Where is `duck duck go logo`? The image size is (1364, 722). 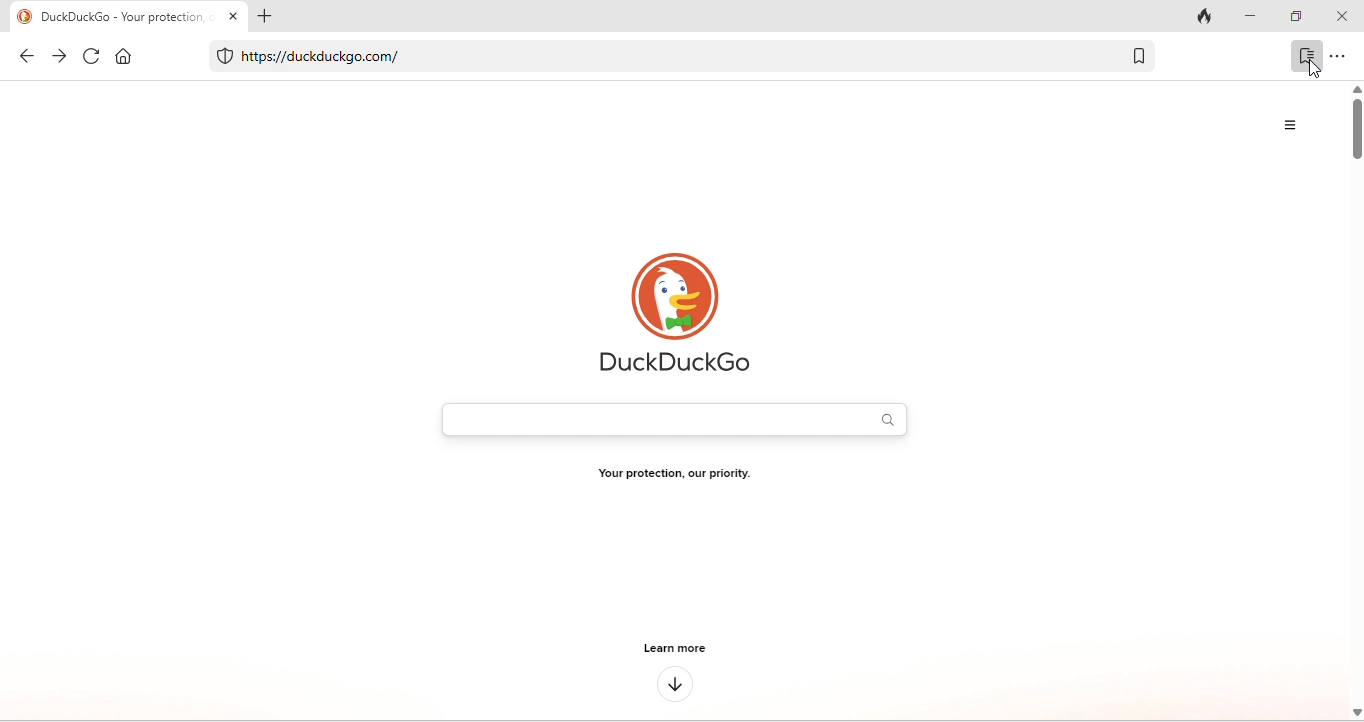 duck duck go logo is located at coordinates (675, 316).